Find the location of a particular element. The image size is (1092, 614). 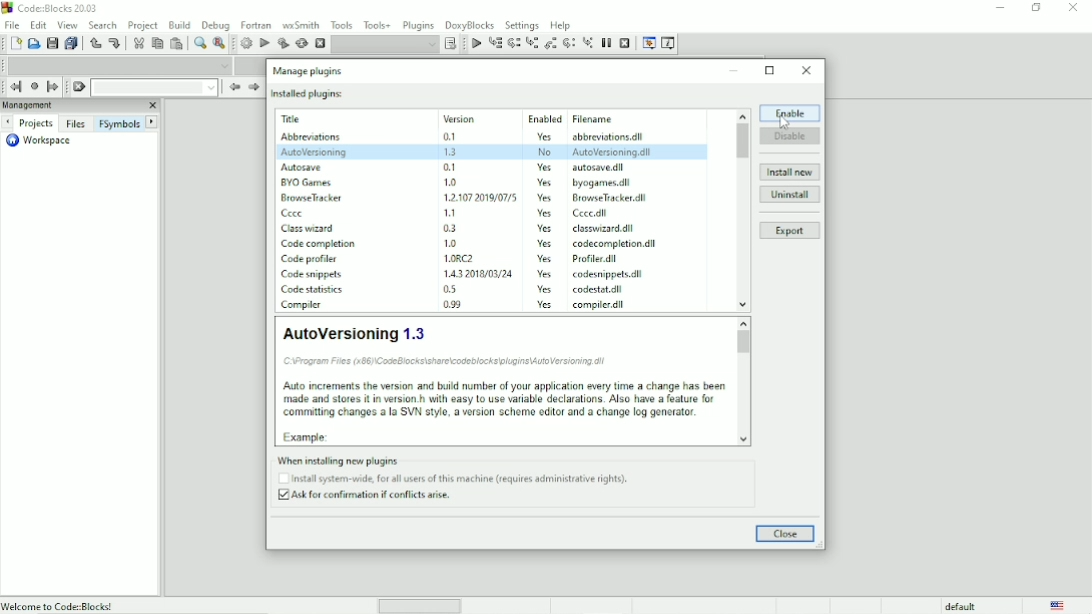

Title is located at coordinates (319, 119).